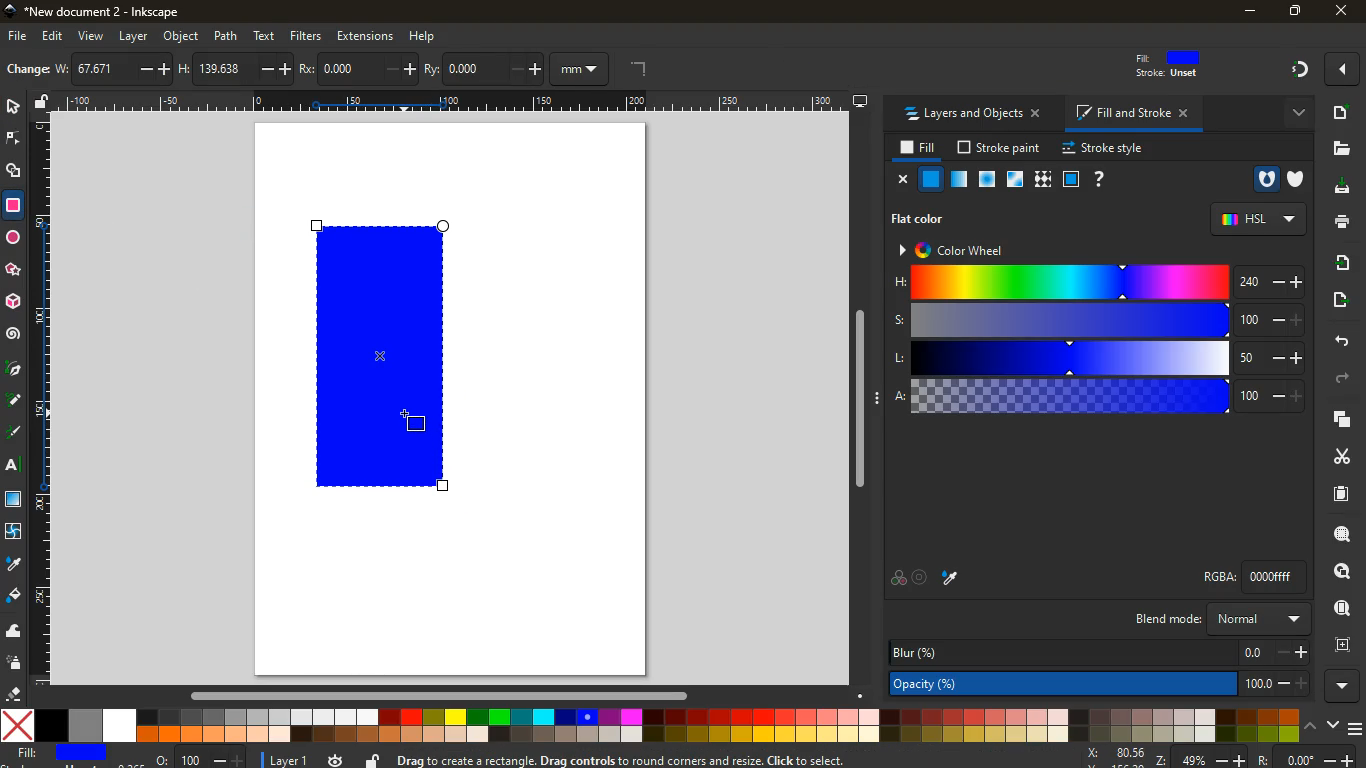 The height and width of the screenshot is (768, 1366). I want to click on receive, so click(1339, 264).